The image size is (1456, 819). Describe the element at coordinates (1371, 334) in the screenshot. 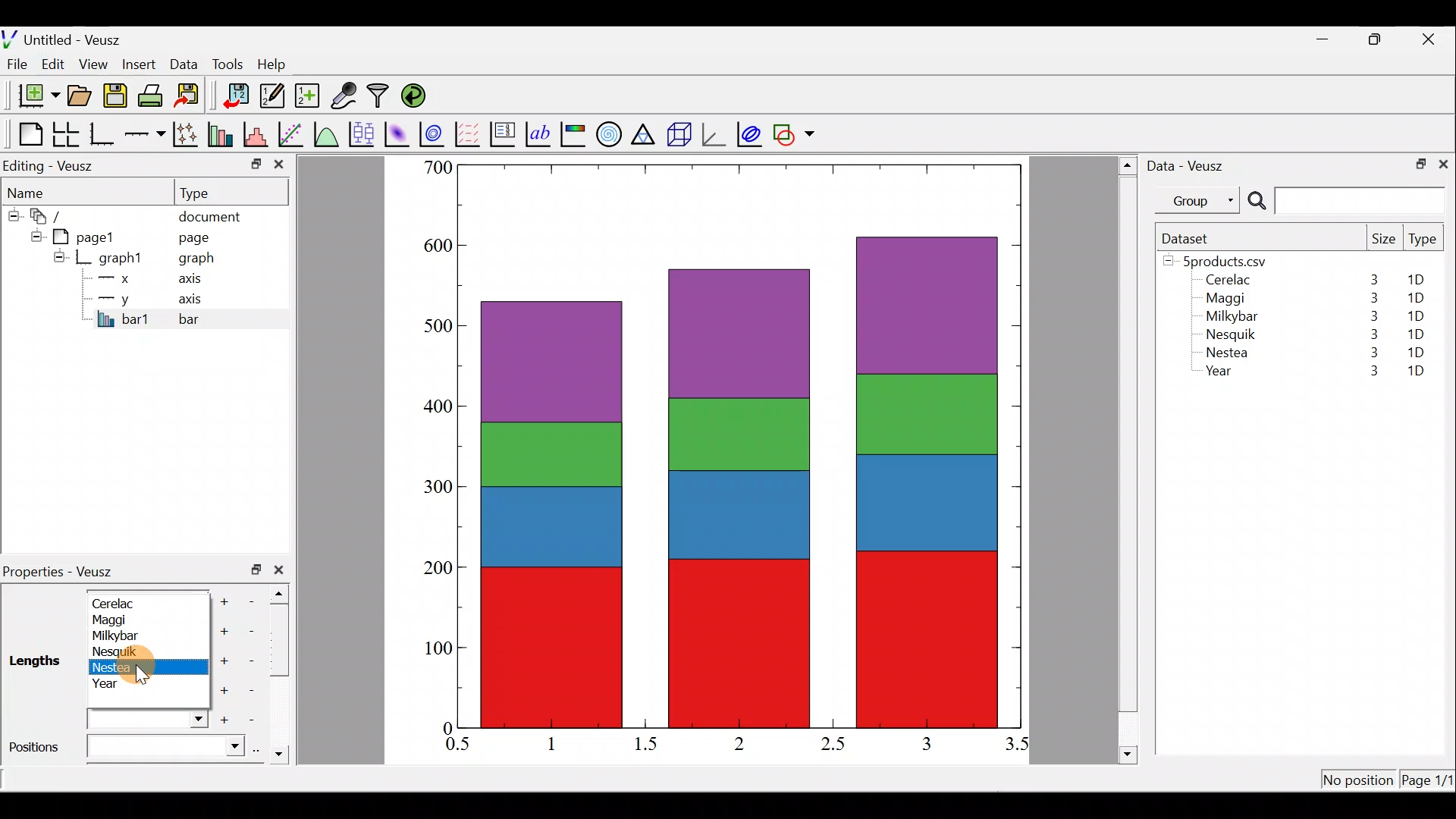

I see `3` at that location.